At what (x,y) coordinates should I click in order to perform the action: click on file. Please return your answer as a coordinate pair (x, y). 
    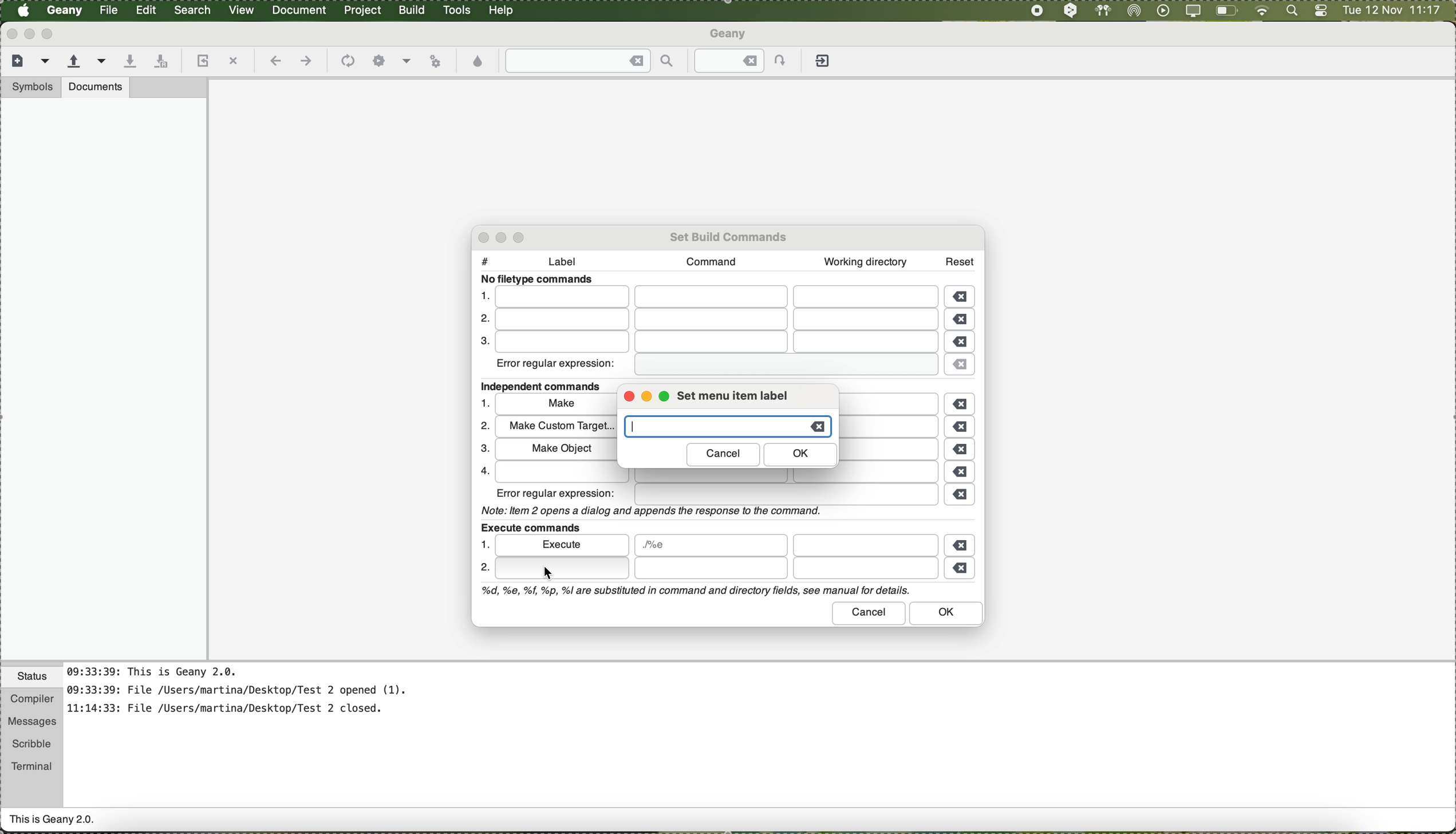
    Looking at the image, I should click on (891, 427).